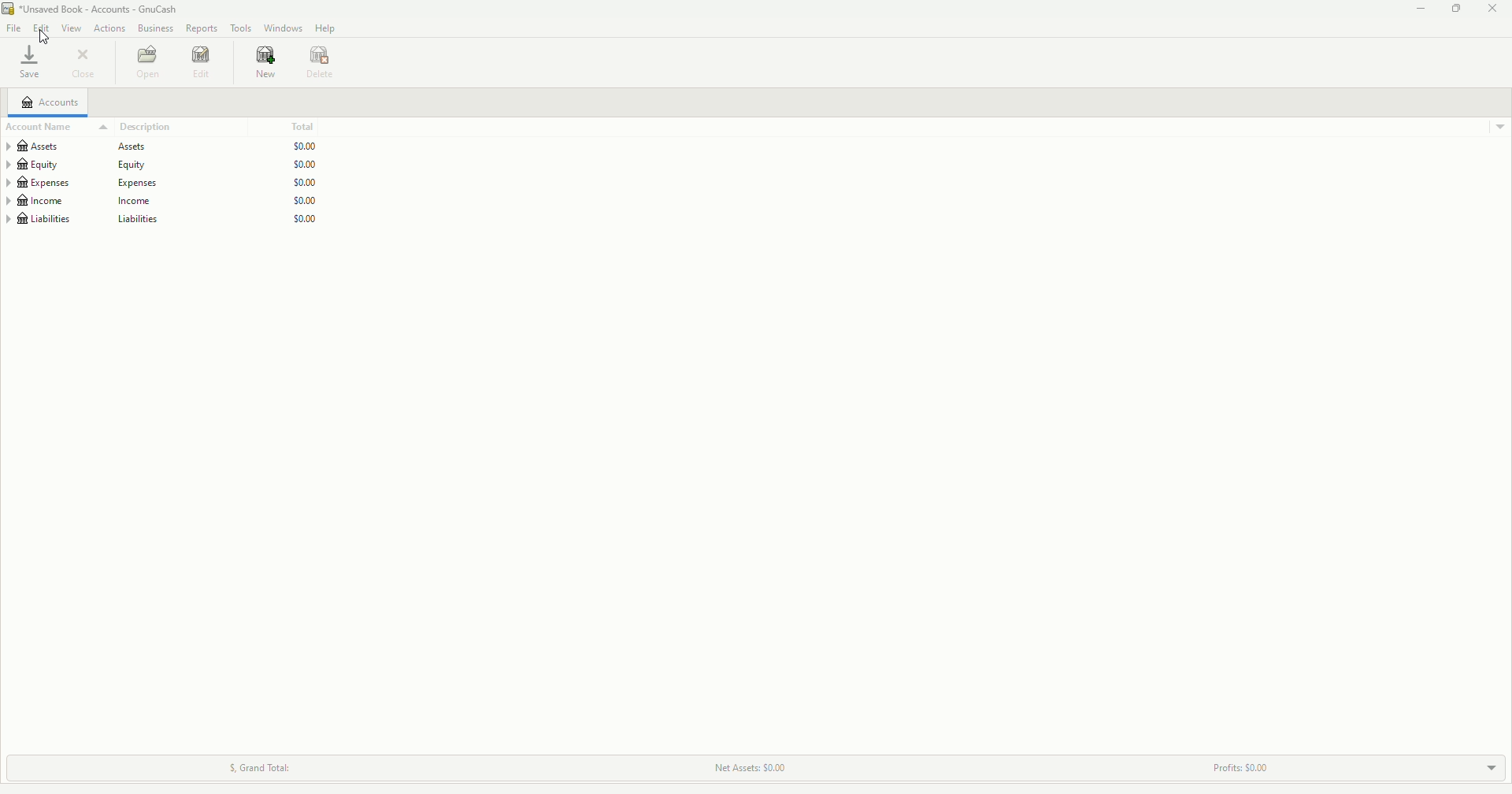  Describe the element at coordinates (109, 28) in the screenshot. I see `Actions` at that location.